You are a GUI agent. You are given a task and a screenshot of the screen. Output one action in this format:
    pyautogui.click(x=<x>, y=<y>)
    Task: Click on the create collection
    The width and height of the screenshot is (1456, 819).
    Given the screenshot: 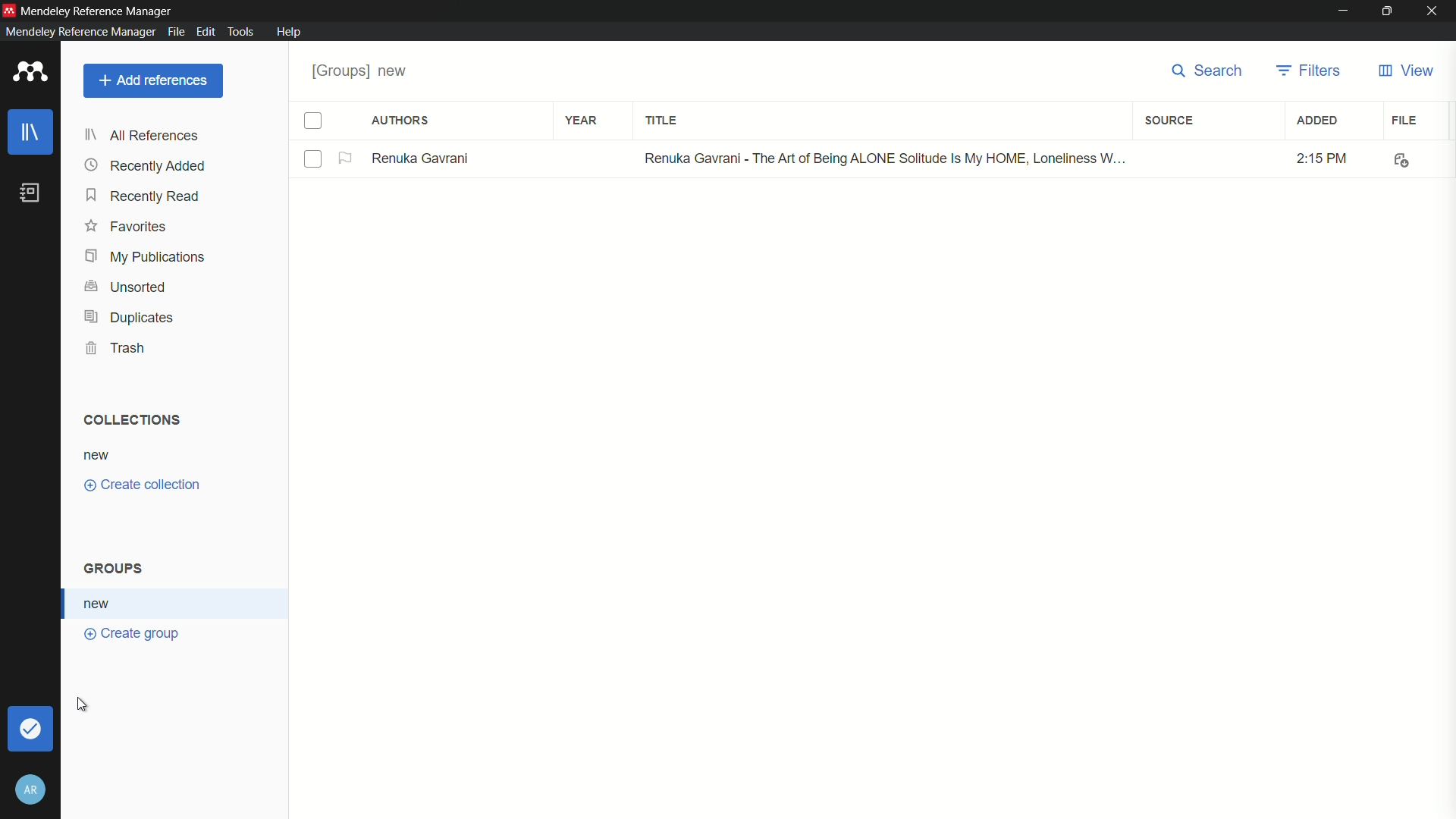 What is the action you would take?
    pyautogui.click(x=145, y=485)
    